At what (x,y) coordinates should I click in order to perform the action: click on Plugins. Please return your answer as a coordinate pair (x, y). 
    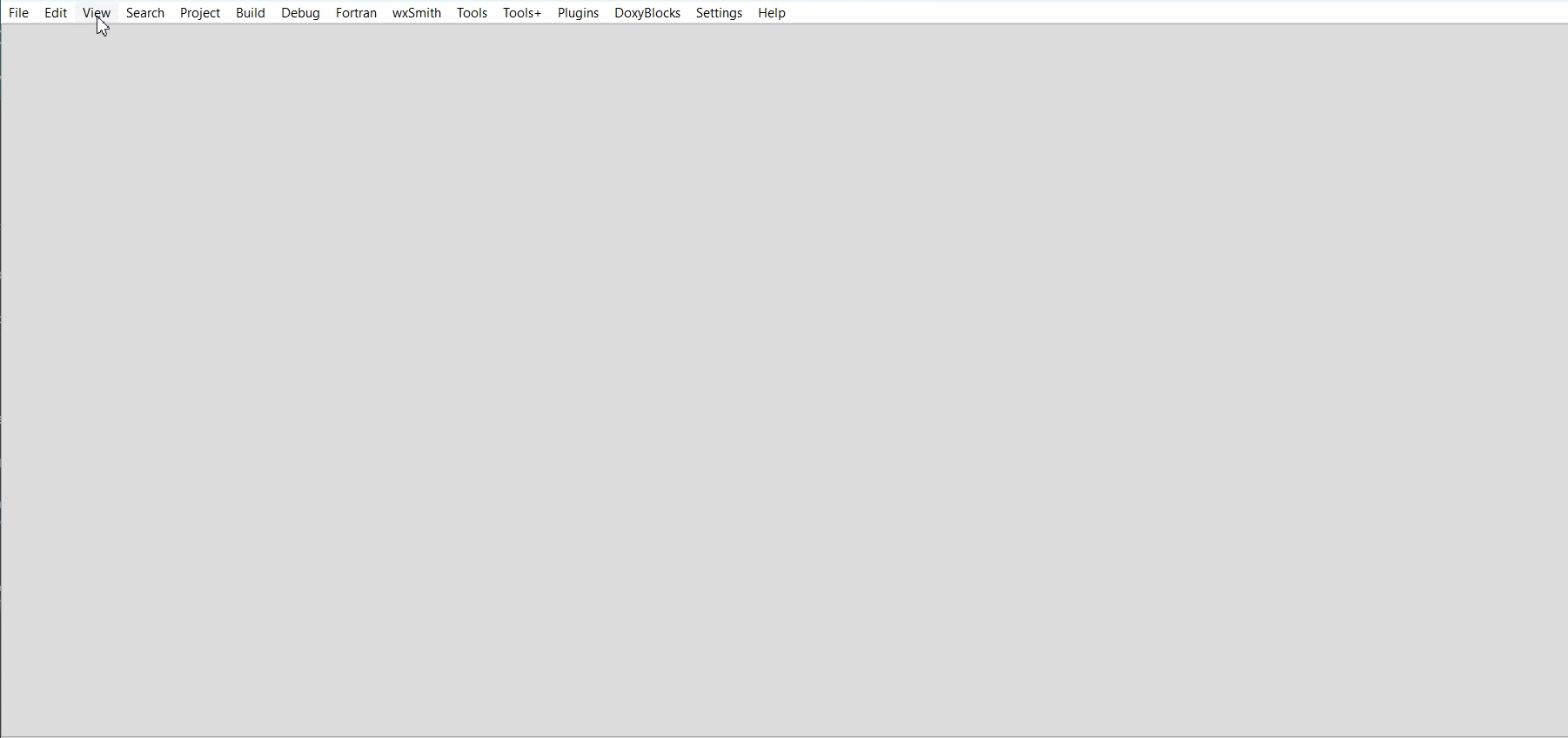
    Looking at the image, I should click on (578, 13).